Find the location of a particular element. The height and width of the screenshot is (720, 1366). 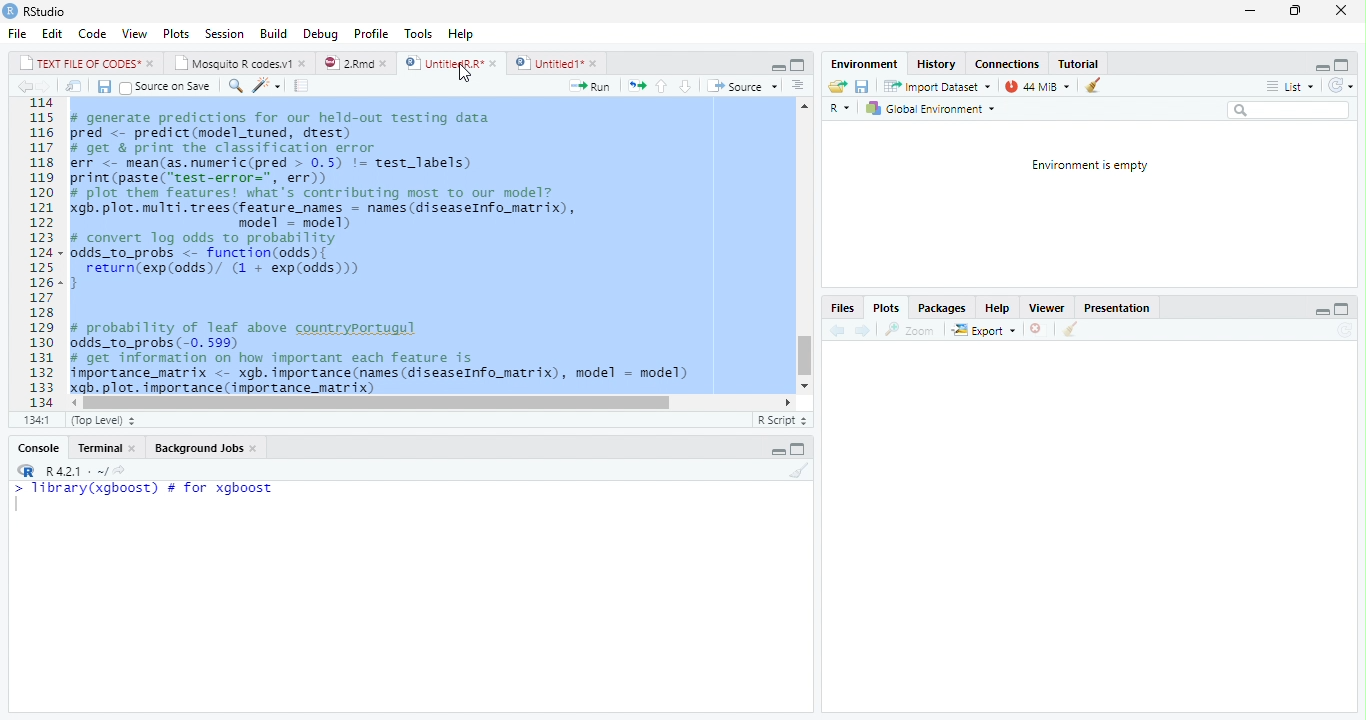

Help is located at coordinates (463, 36).